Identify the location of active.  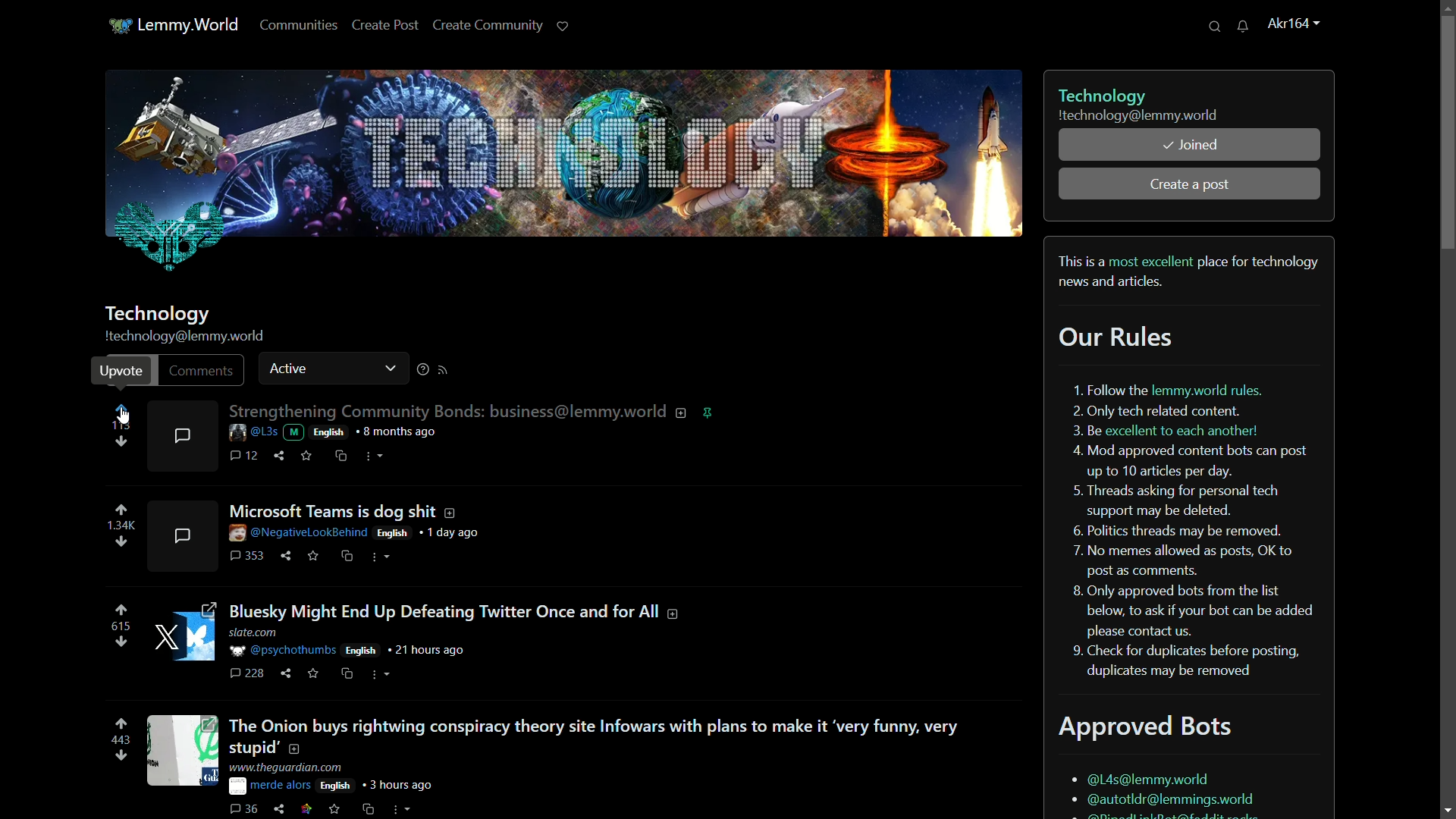
(331, 367).